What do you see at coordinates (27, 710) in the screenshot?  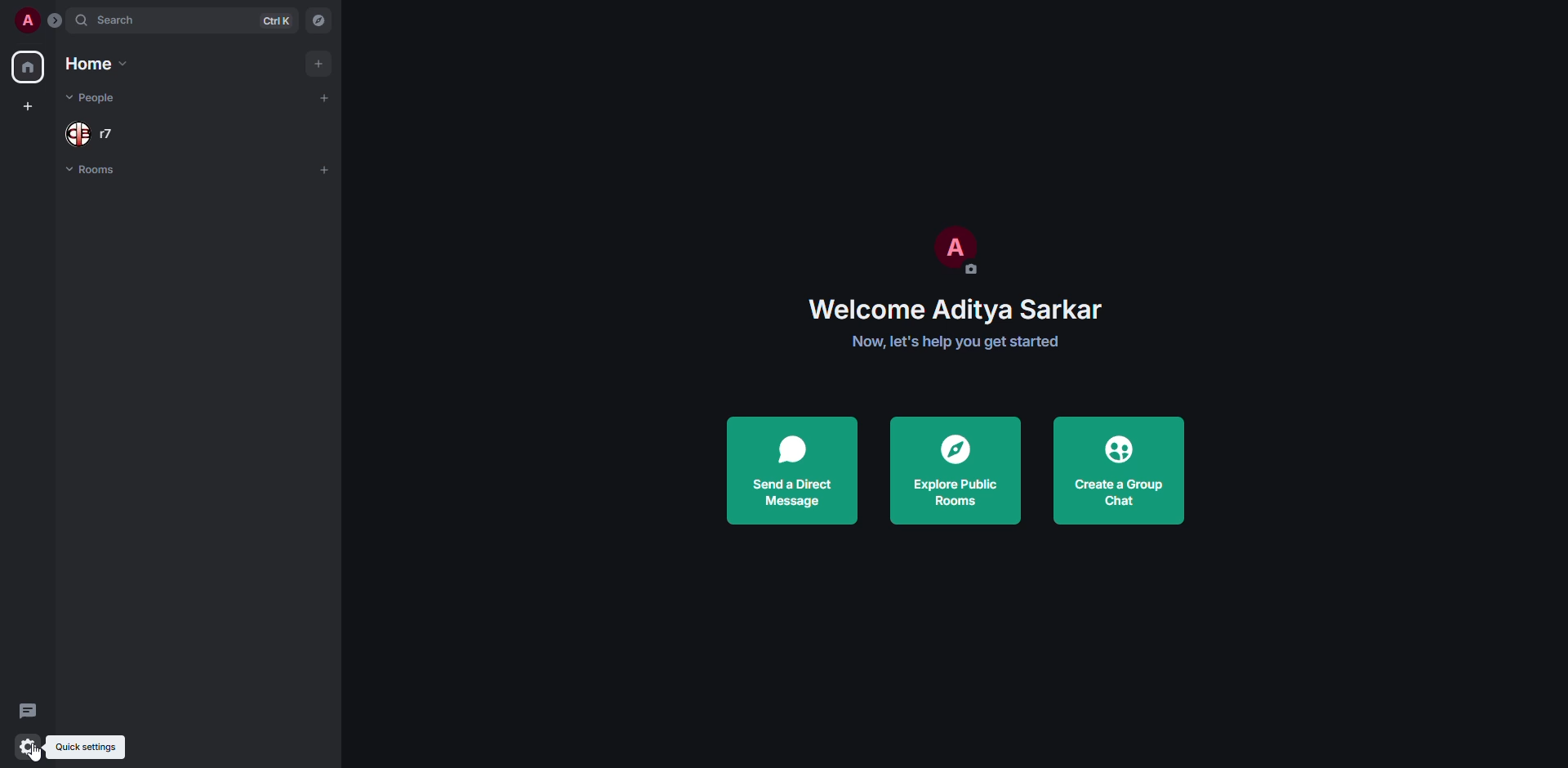 I see `threads` at bounding box center [27, 710].